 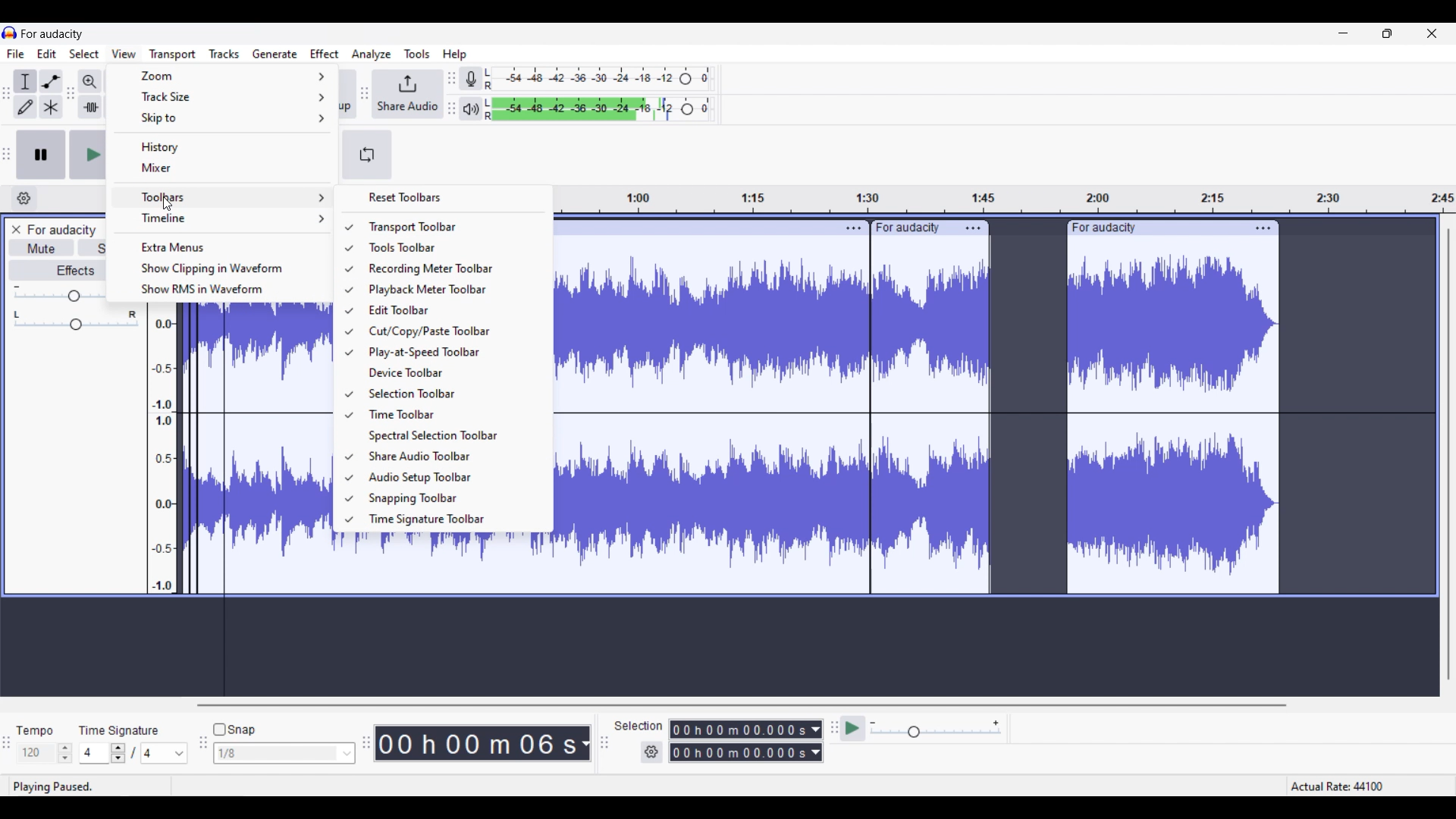 I want to click on click to drag, so click(x=689, y=228).